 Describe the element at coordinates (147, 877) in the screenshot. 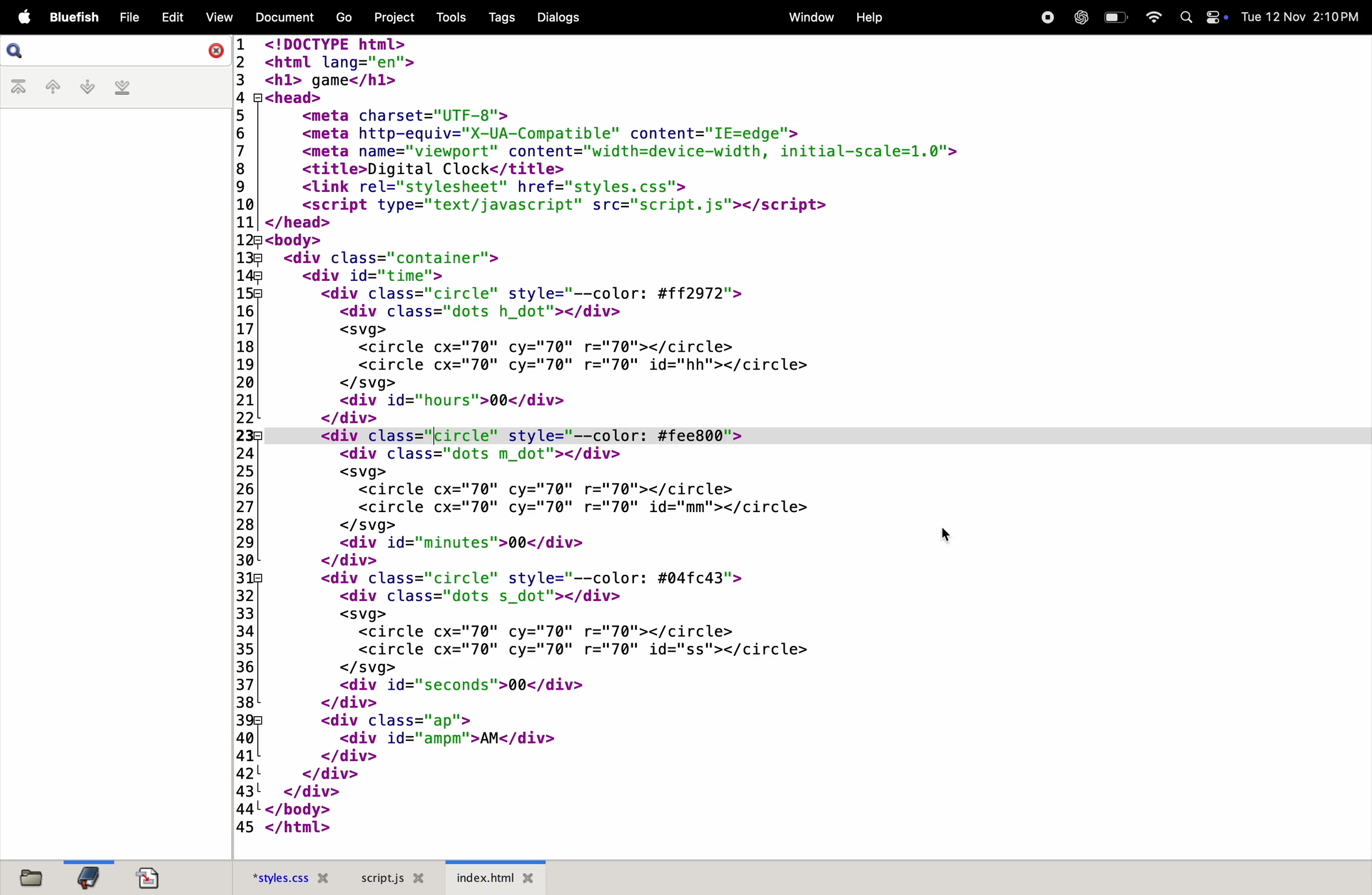

I see `documents` at that location.